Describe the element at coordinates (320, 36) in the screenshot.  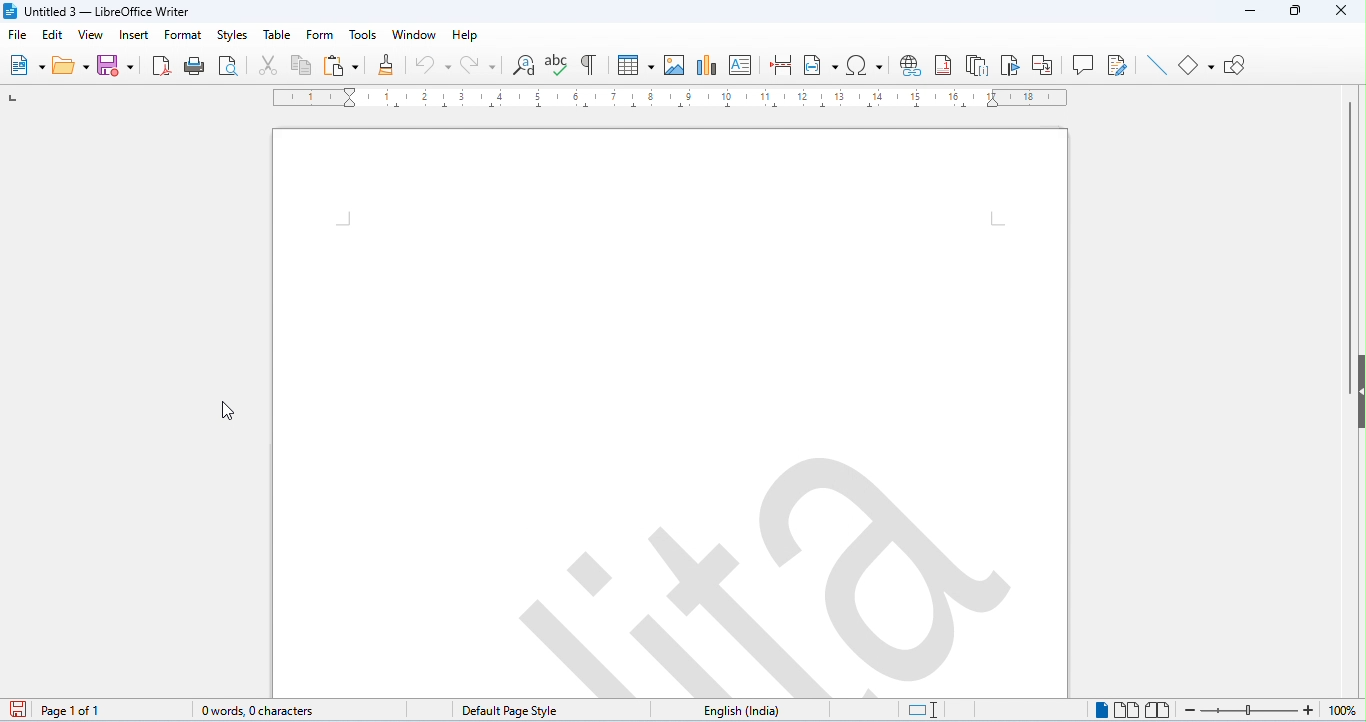
I see `form` at that location.